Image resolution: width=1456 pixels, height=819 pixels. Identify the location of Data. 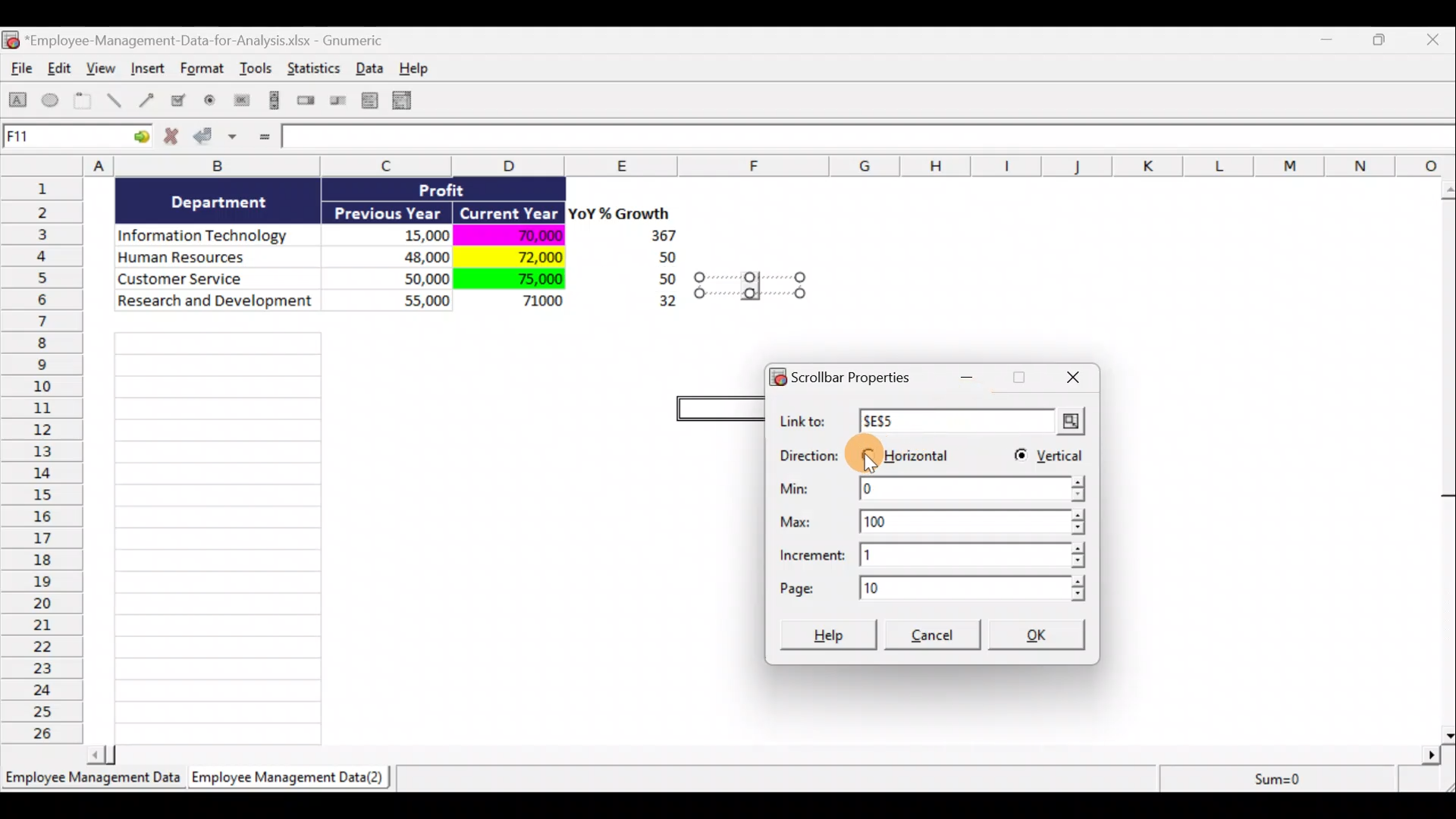
(397, 256).